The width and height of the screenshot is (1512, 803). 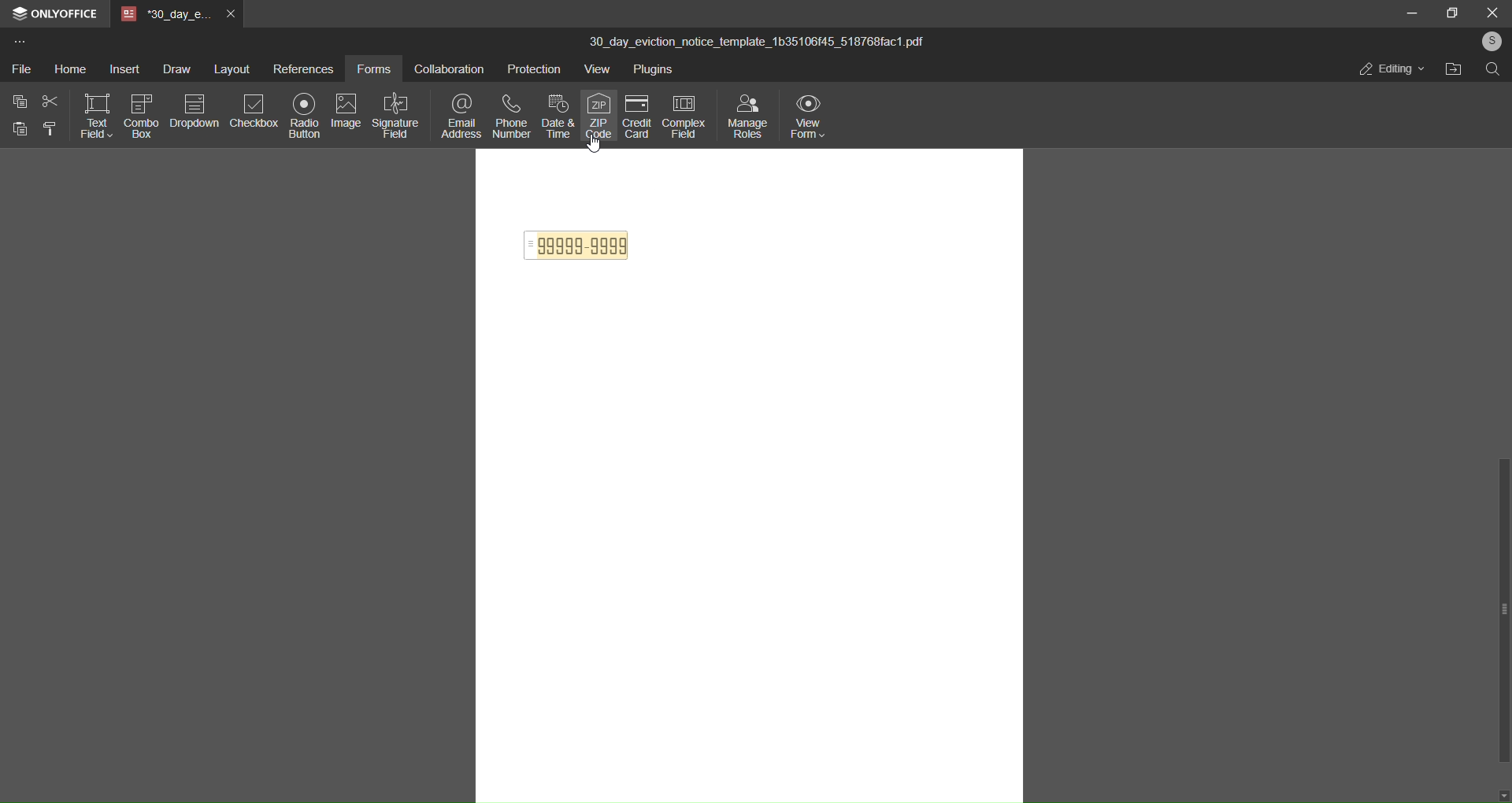 I want to click on layout, so click(x=232, y=68).